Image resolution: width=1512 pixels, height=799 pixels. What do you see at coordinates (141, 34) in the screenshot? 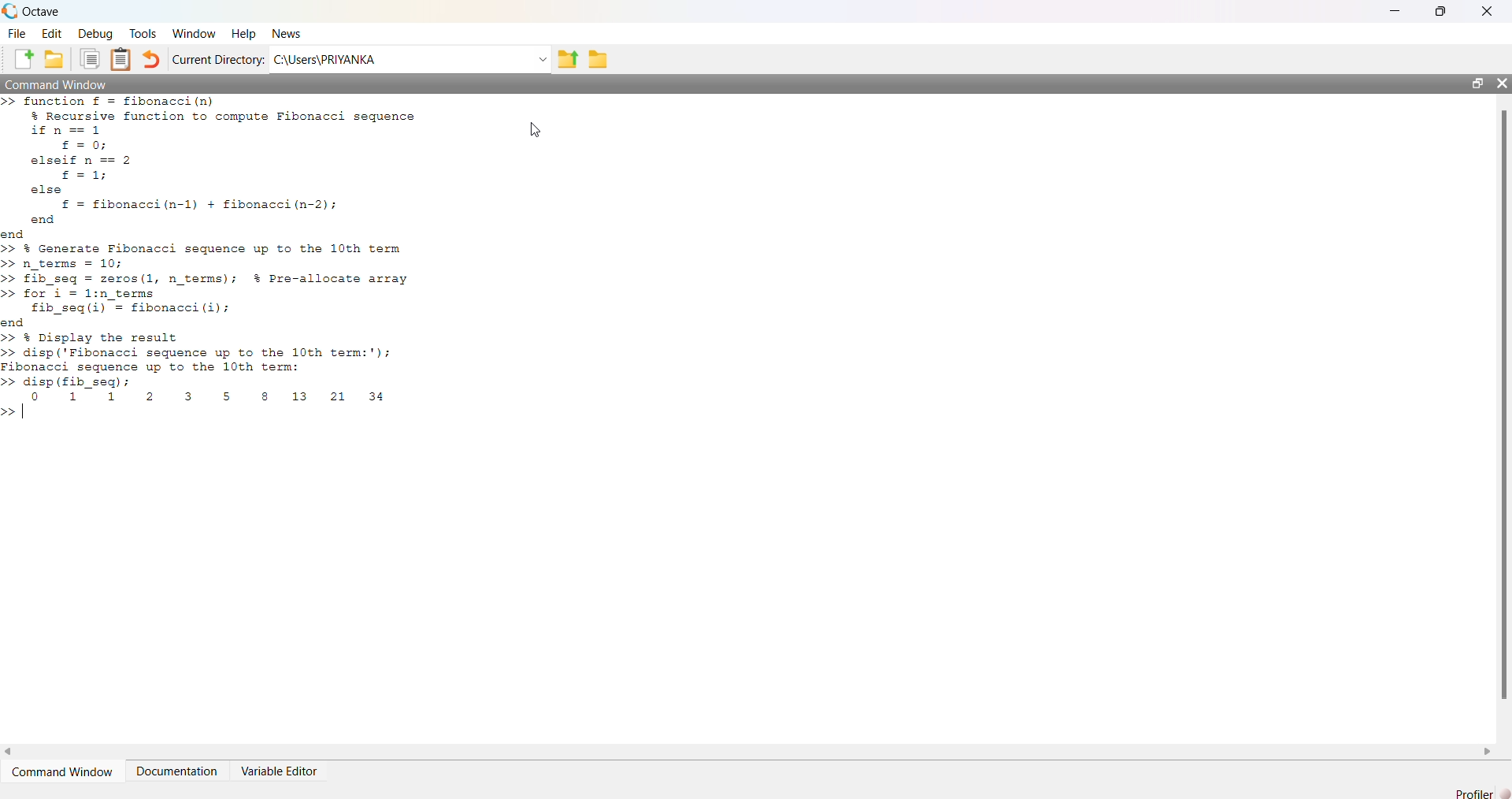
I see `Tools` at bounding box center [141, 34].